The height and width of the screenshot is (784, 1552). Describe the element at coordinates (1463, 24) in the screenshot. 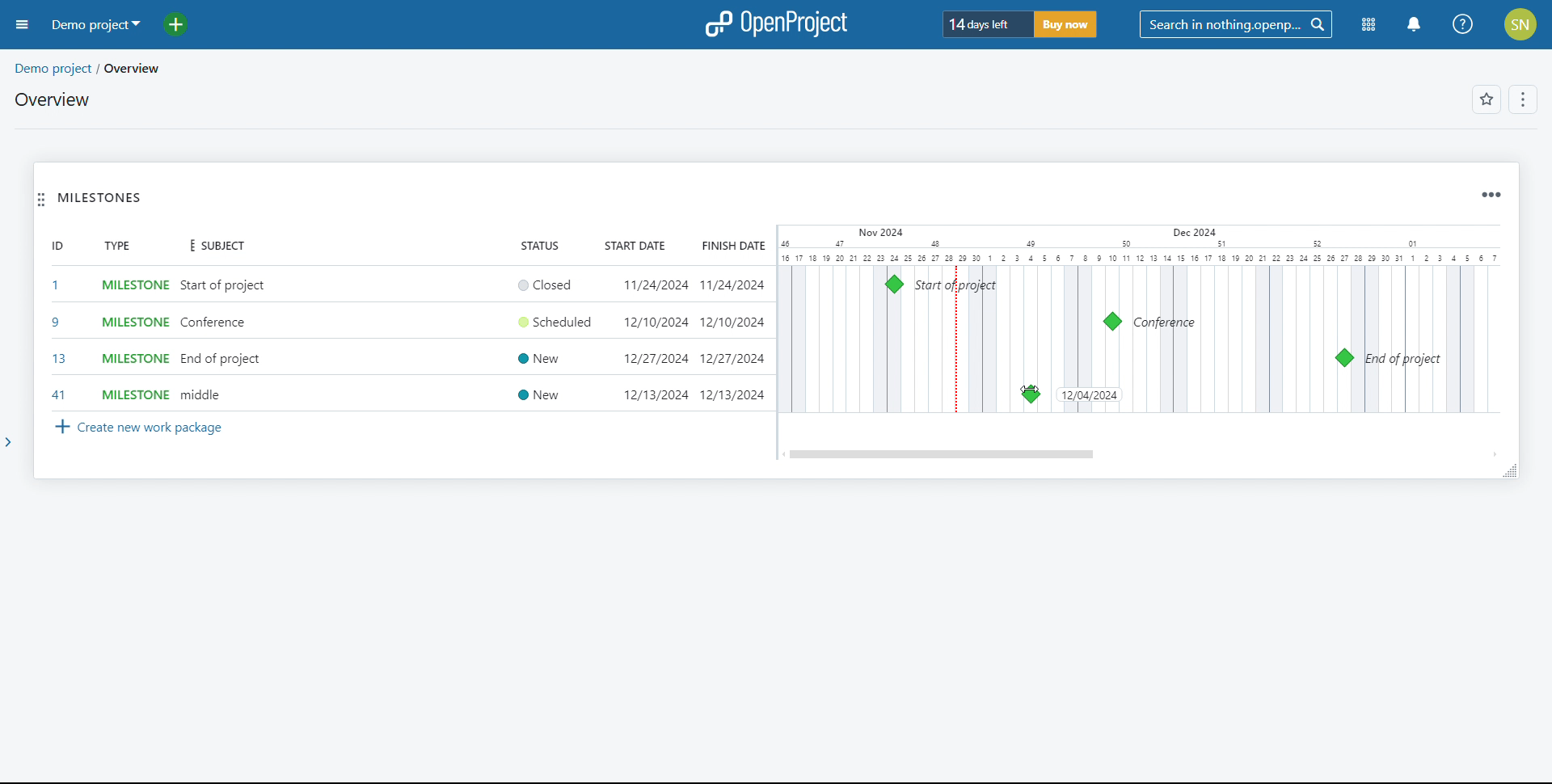

I see `help` at that location.